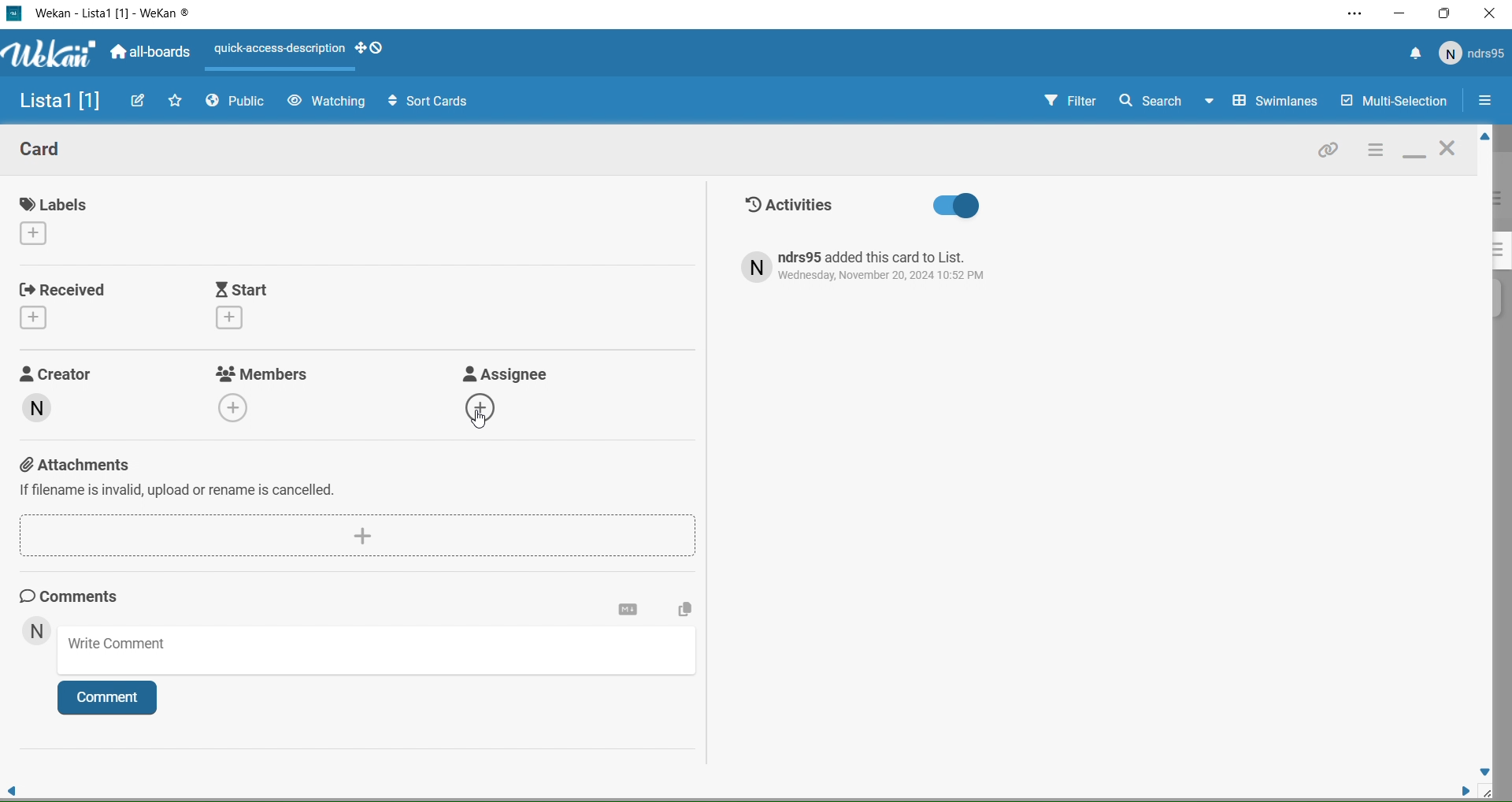  What do you see at coordinates (54, 152) in the screenshot?
I see `Card` at bounding box center [54, 152].